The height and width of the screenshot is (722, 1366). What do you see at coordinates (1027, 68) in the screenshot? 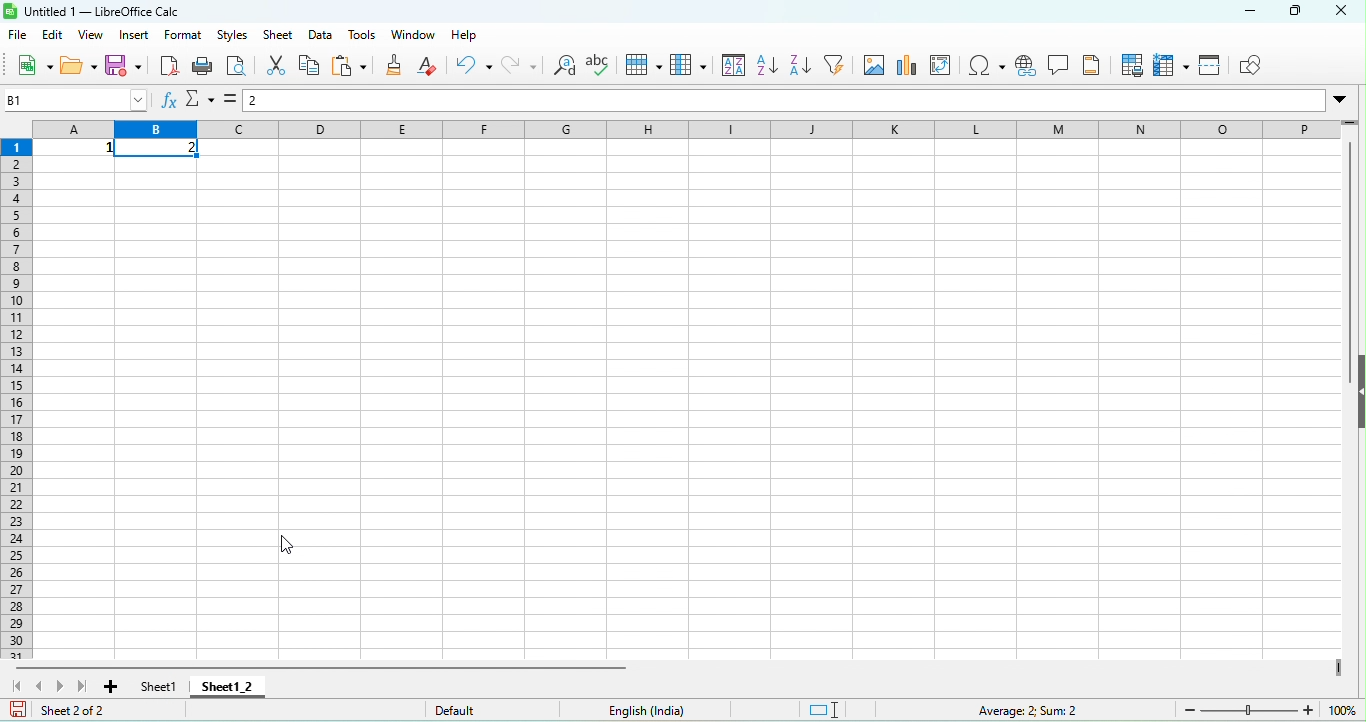
I see `hyperlink` at bounding box center [1027, 68].